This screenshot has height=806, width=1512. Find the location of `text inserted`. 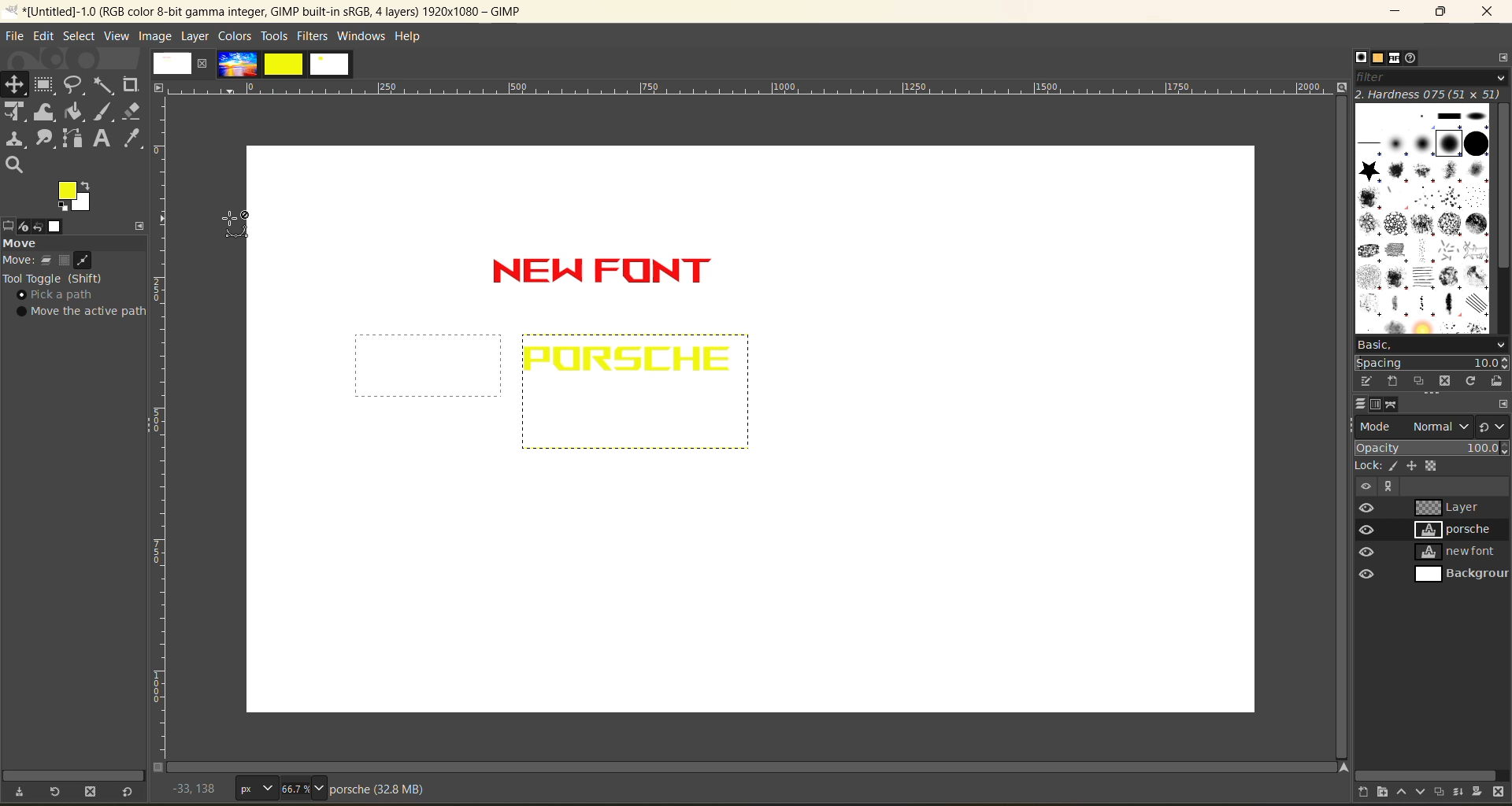

text inserted is located at coordinates (622, 375).